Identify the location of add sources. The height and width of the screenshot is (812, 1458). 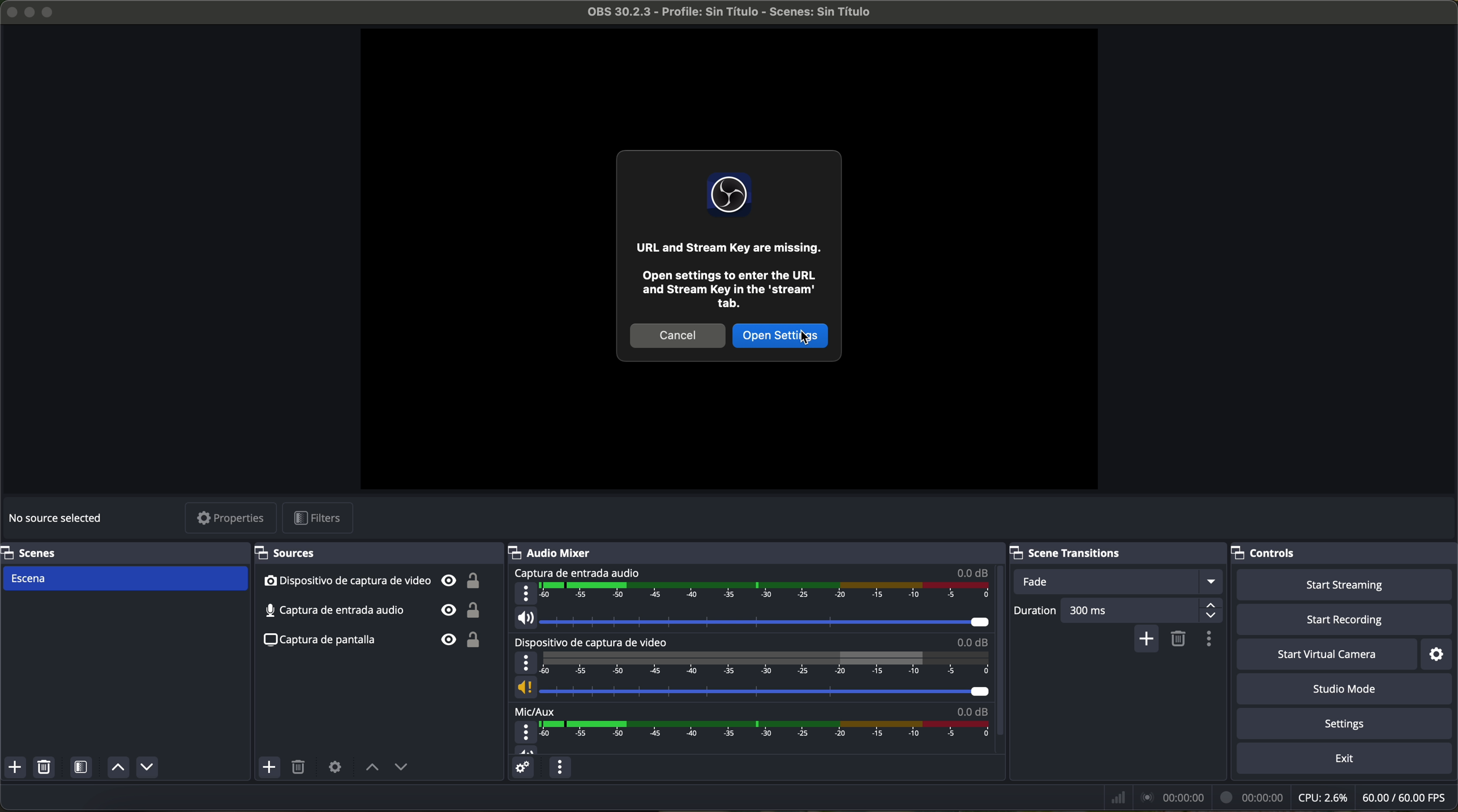
(271, 768).